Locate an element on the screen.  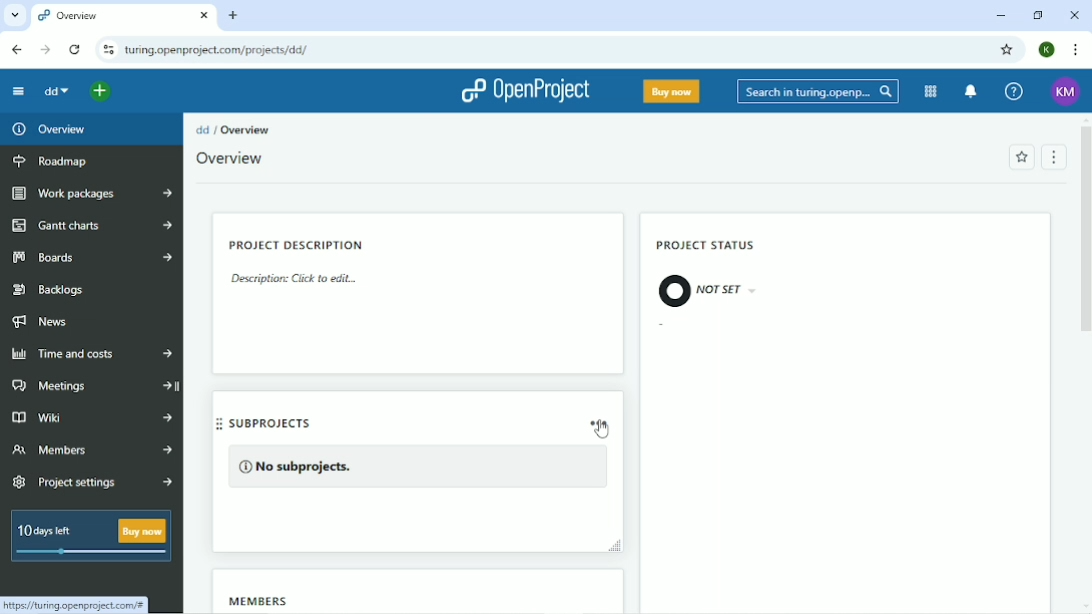
10 days left is located at coordinates (89, 538).